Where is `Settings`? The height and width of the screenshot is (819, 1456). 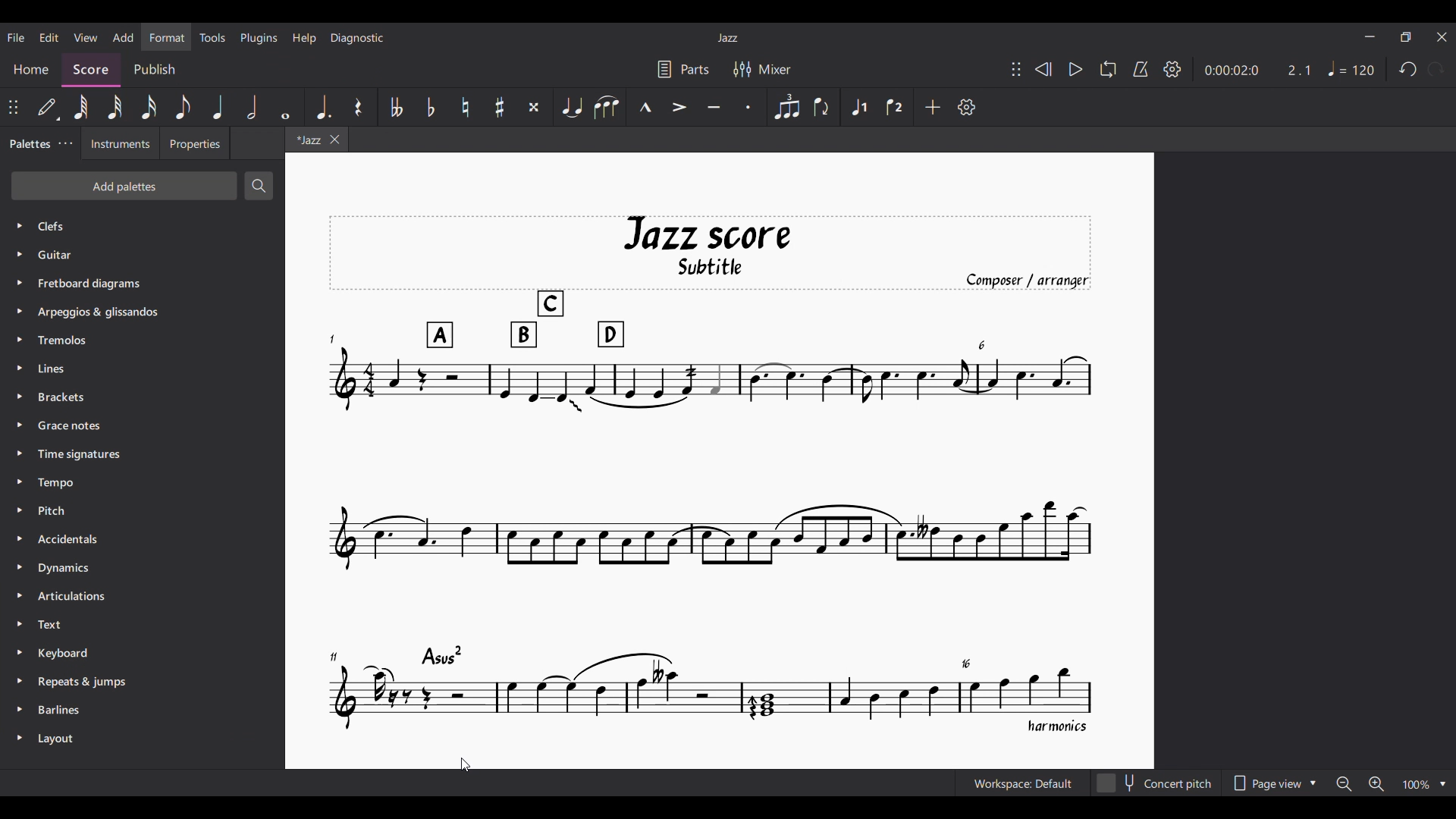
Settings is located at coordinates (1172, 69).